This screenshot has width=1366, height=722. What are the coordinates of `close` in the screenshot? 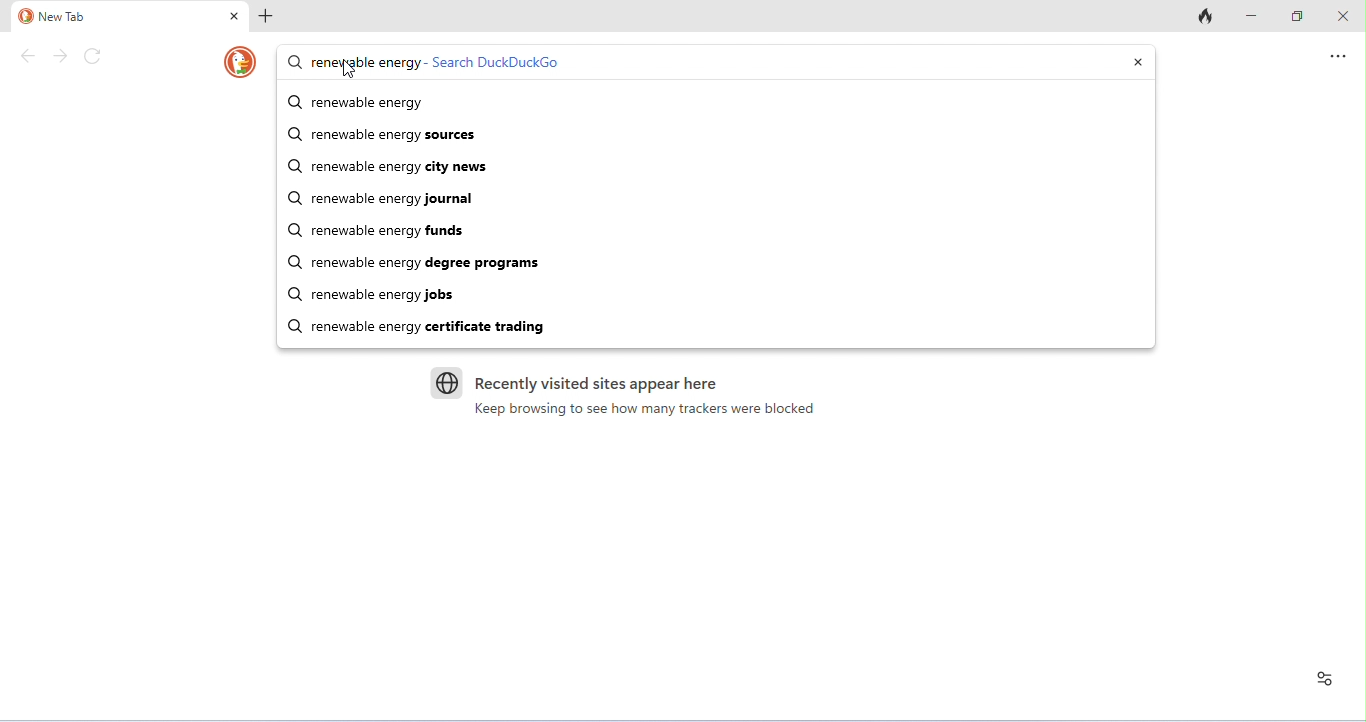 It's located at (235, 16).